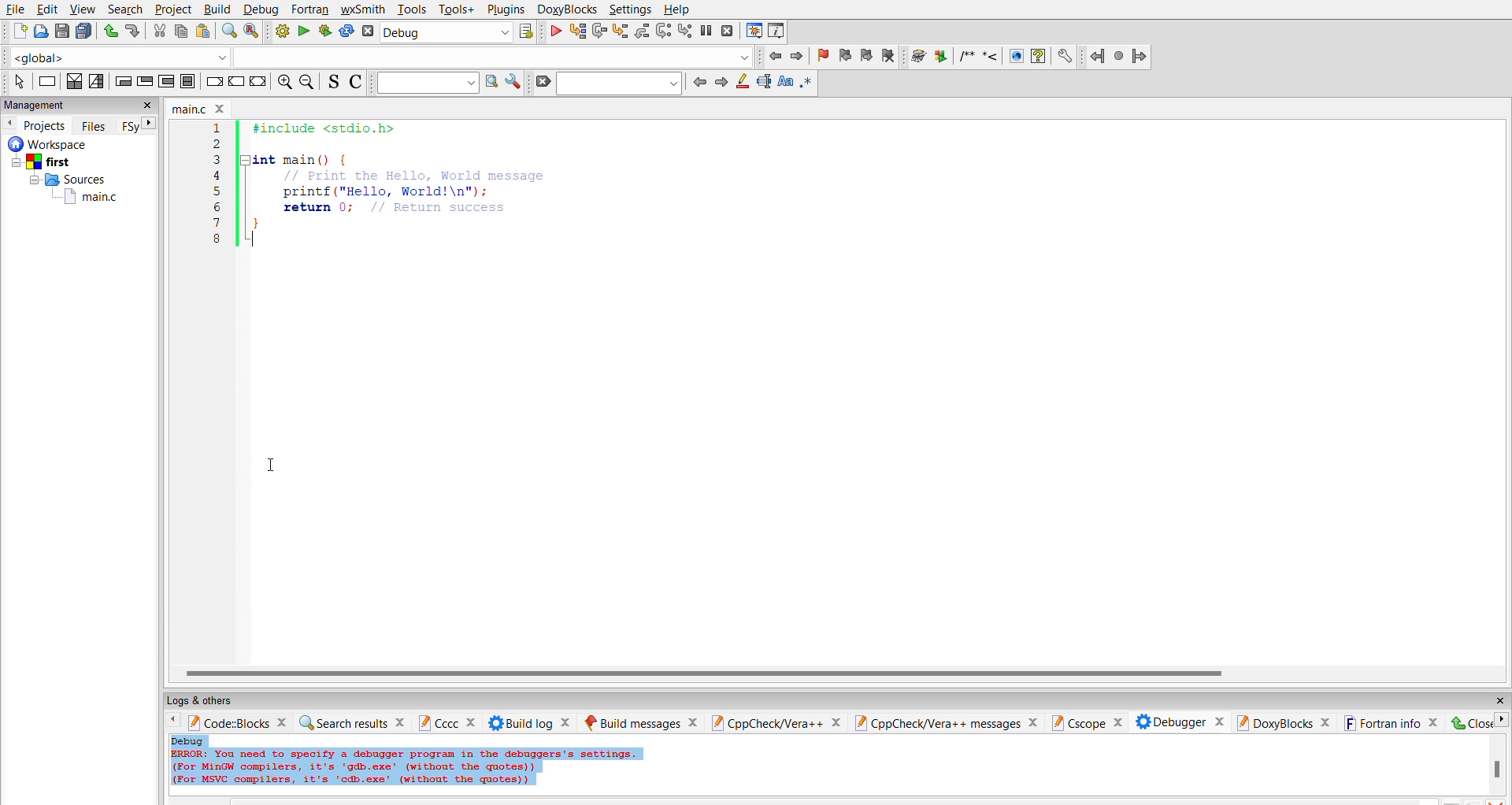  I want to click on doxyblocks, so click(563, 9).